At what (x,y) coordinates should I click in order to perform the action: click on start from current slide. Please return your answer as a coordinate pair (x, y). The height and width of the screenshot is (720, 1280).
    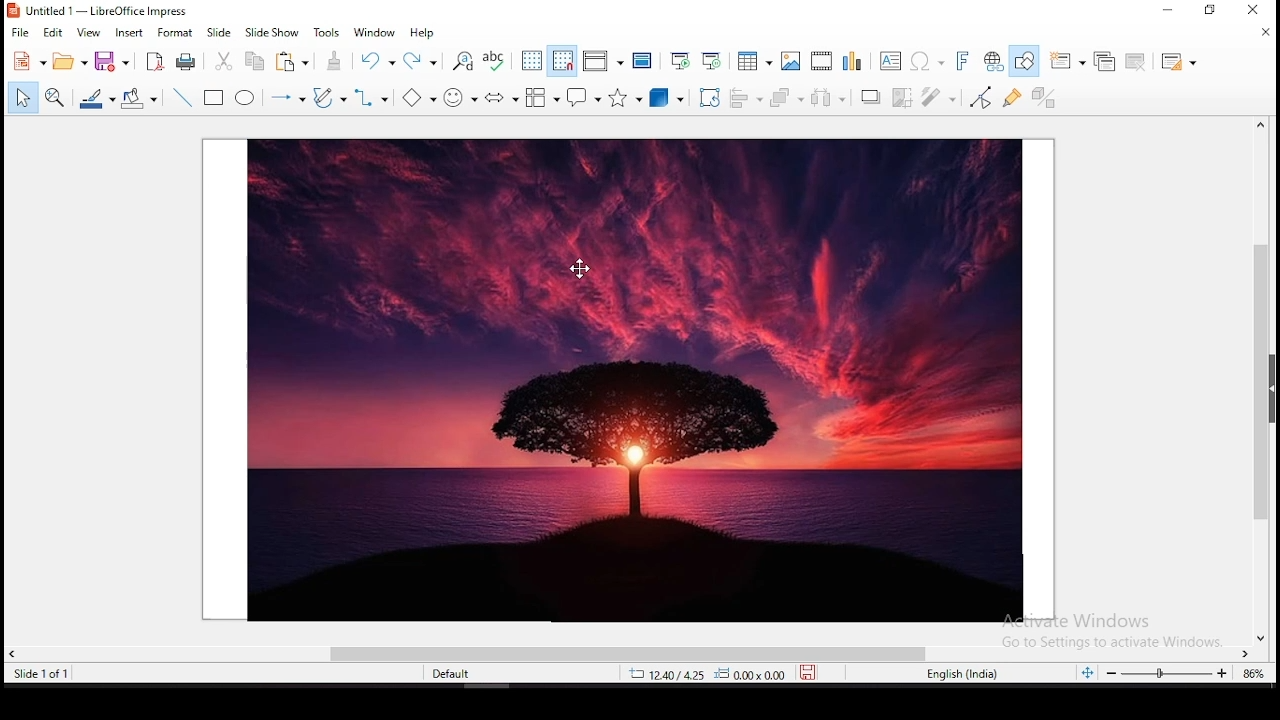
    Looking at the image, I should click on (712, 59).